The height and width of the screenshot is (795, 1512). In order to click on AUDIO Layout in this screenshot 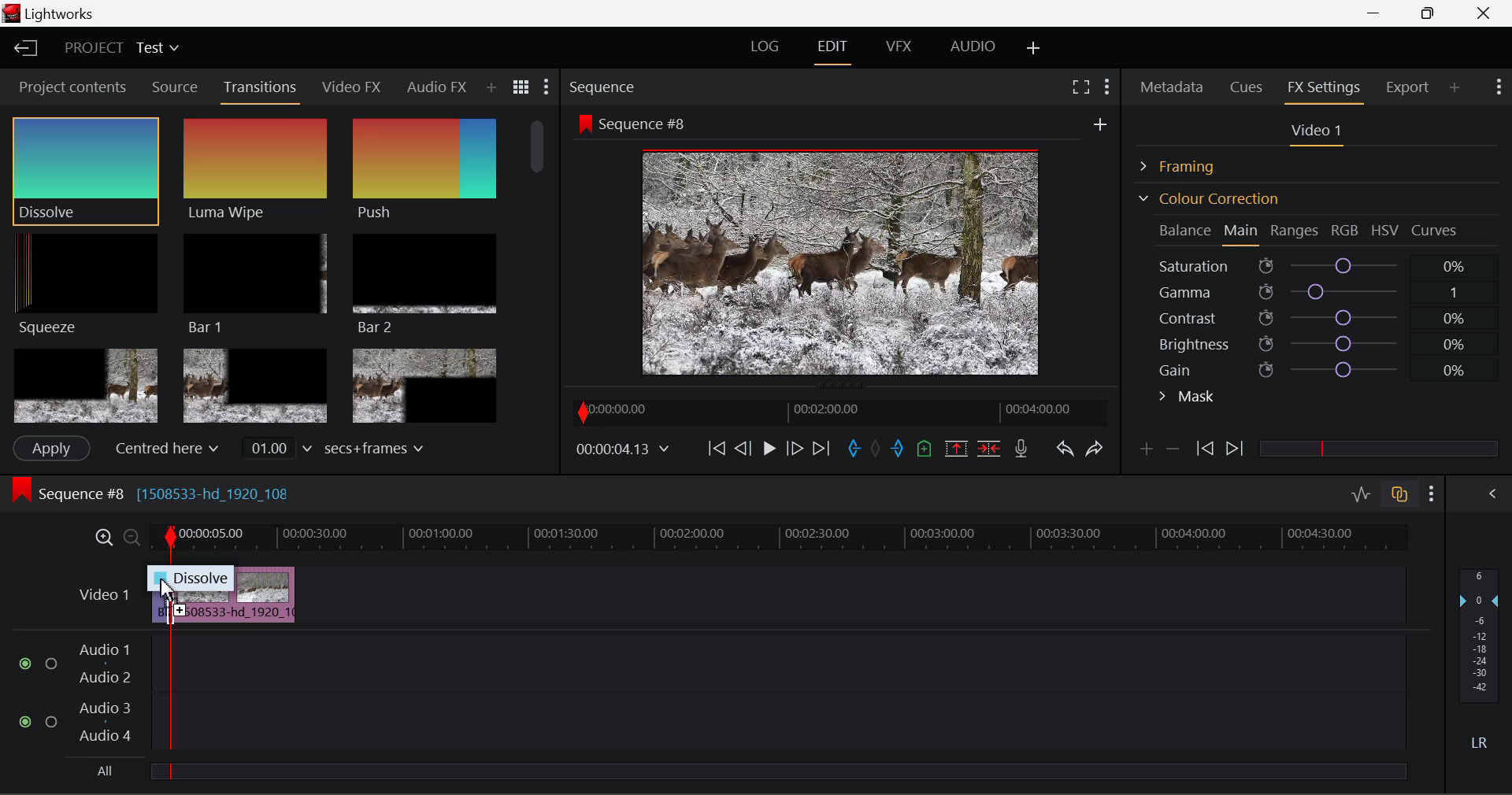, I will do `click(972, 46)`.